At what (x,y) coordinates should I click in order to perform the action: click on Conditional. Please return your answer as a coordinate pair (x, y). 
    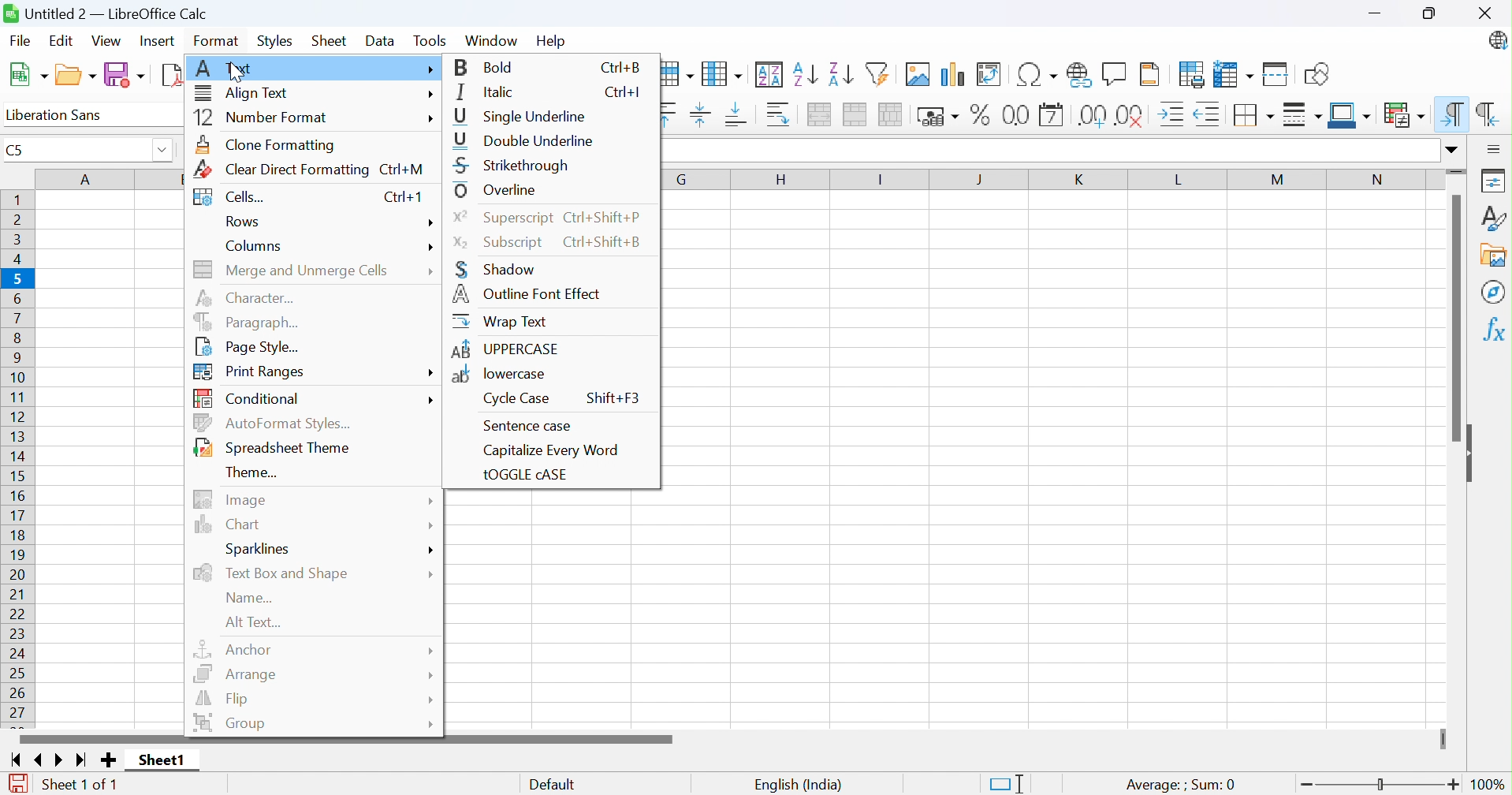
    Looking at the image, I should click on (251, 397).